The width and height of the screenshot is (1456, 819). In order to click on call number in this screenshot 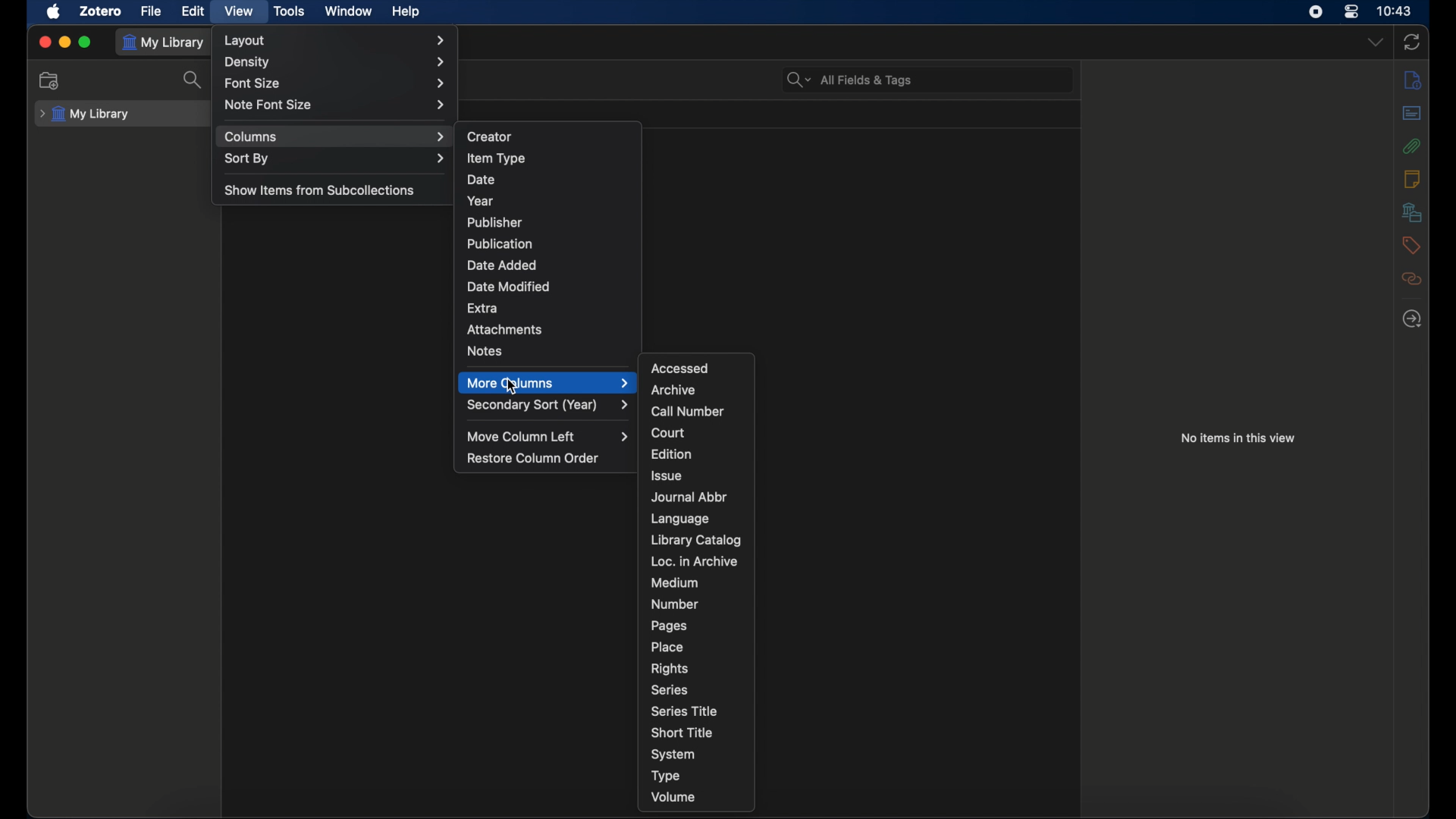, I will do `click(688, 410)`.